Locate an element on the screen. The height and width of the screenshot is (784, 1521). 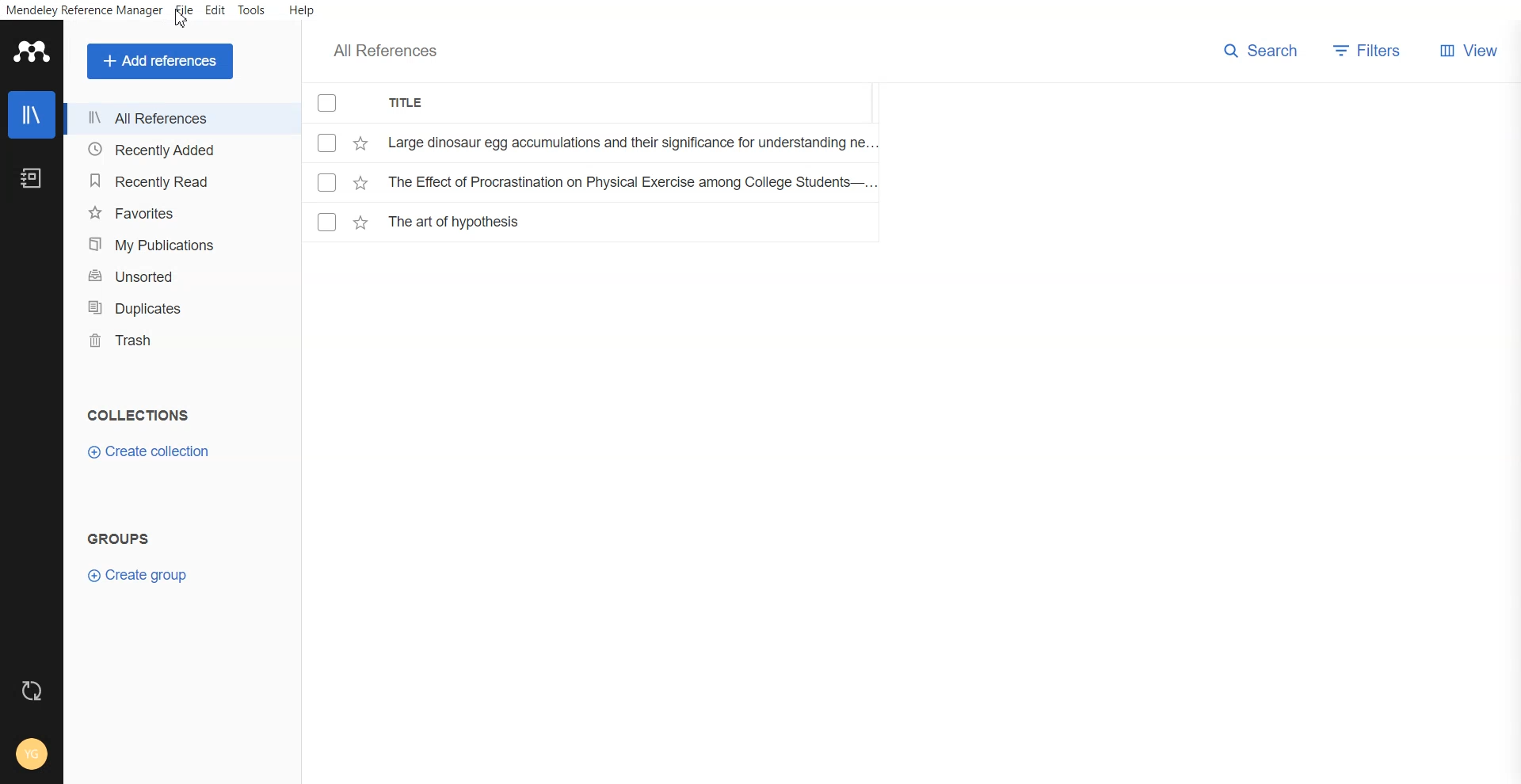
Text is located at coordinates (122, 539).